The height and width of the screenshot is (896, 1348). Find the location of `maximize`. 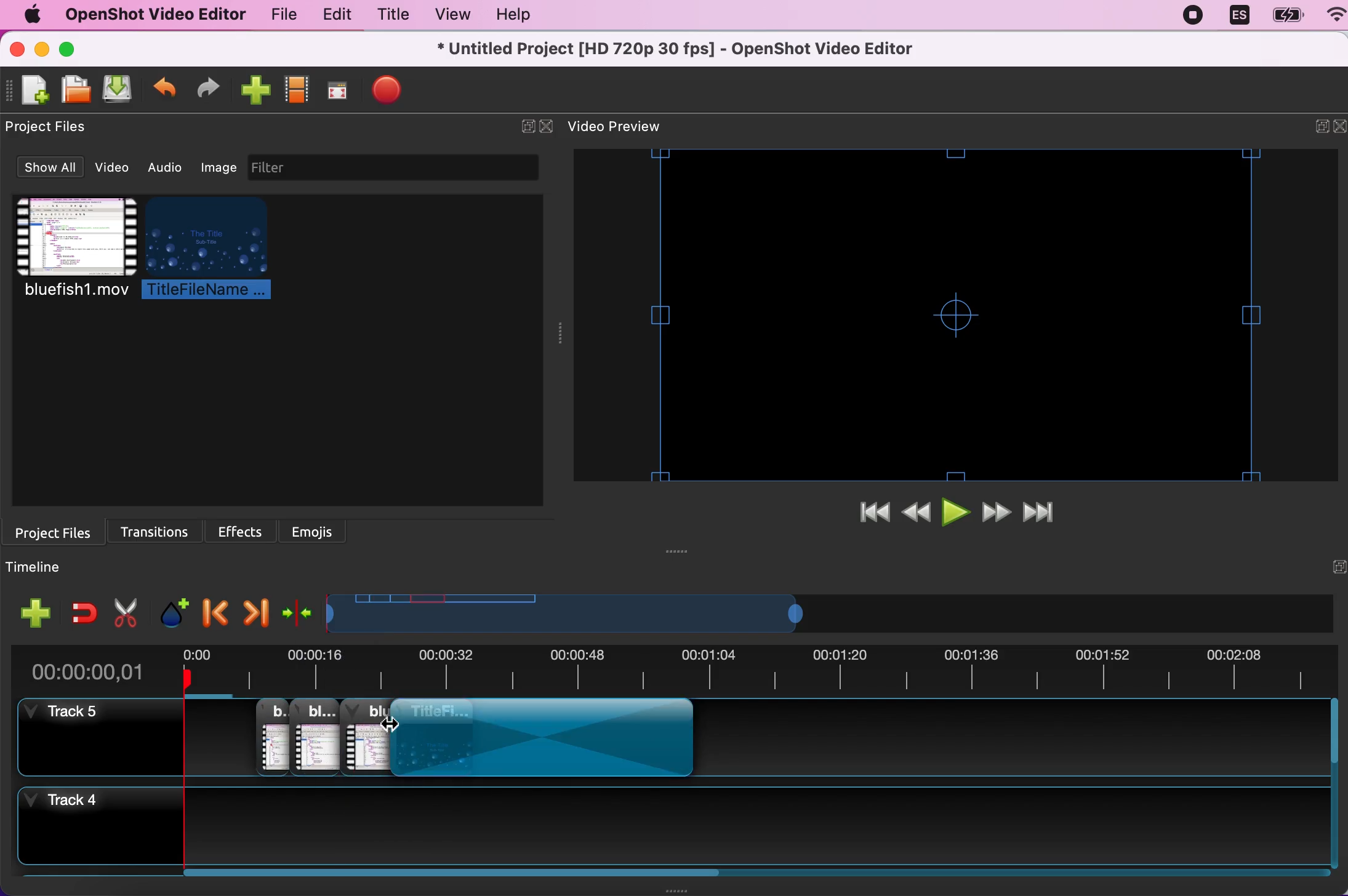

maximize is located at coordinates (74, 49).